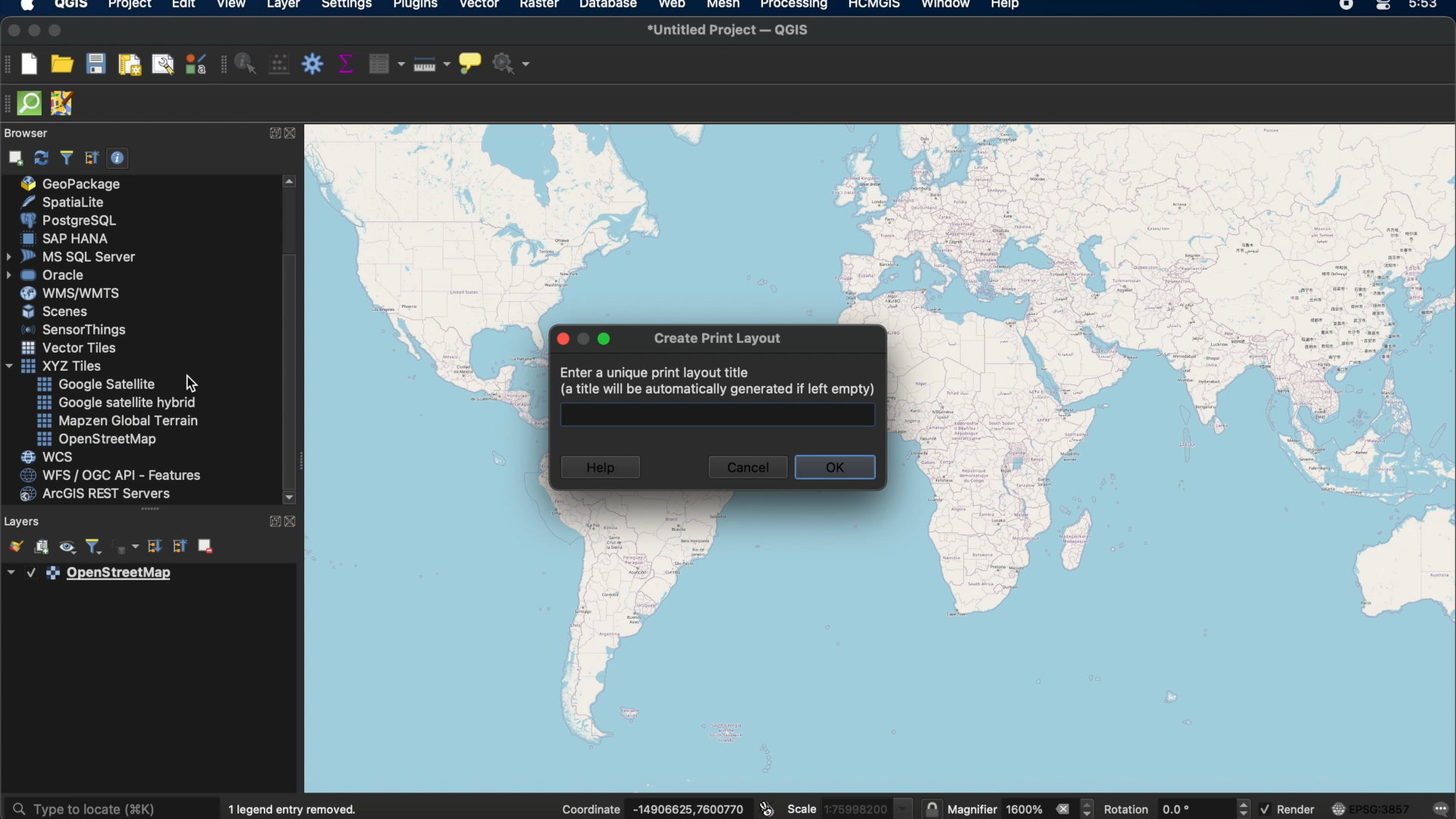  What do you see at coordinates (30, 67) in the screenshot?
I see `new project` at bounding box center [30, 67].